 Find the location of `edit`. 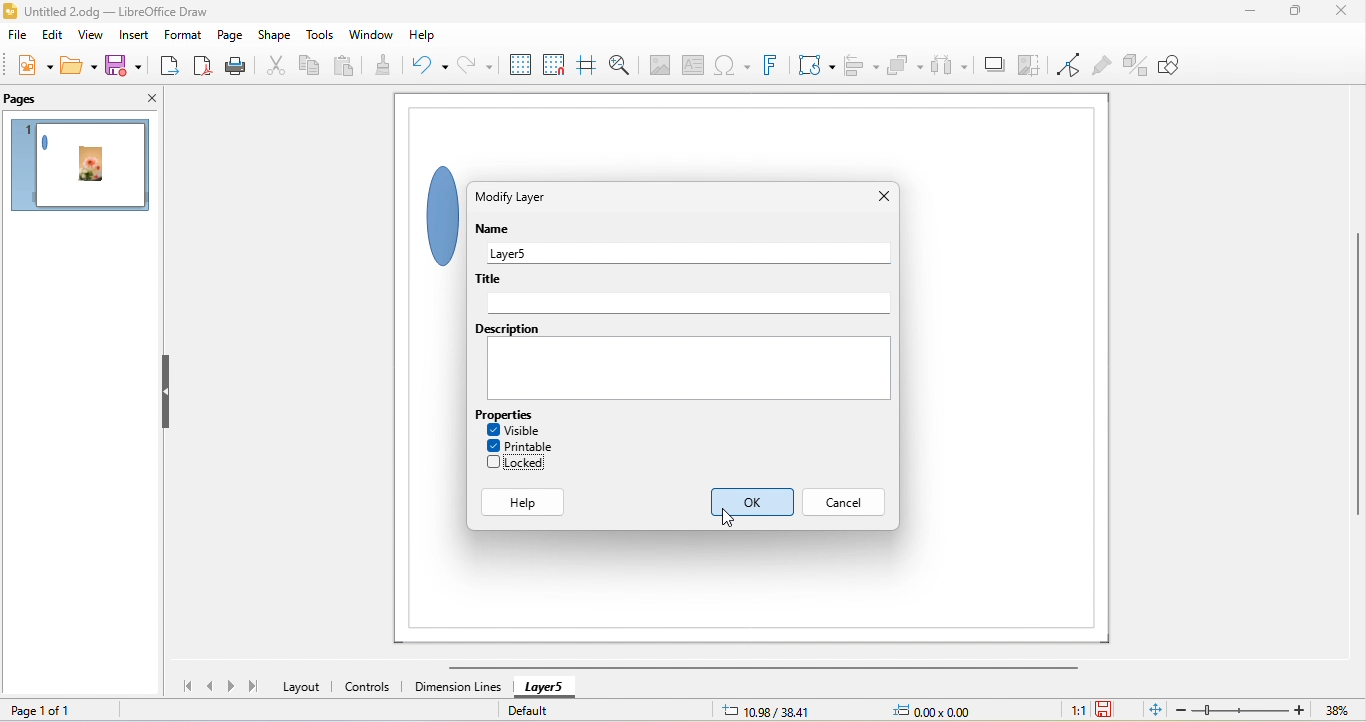

edit is located at coordinates (51, 39).